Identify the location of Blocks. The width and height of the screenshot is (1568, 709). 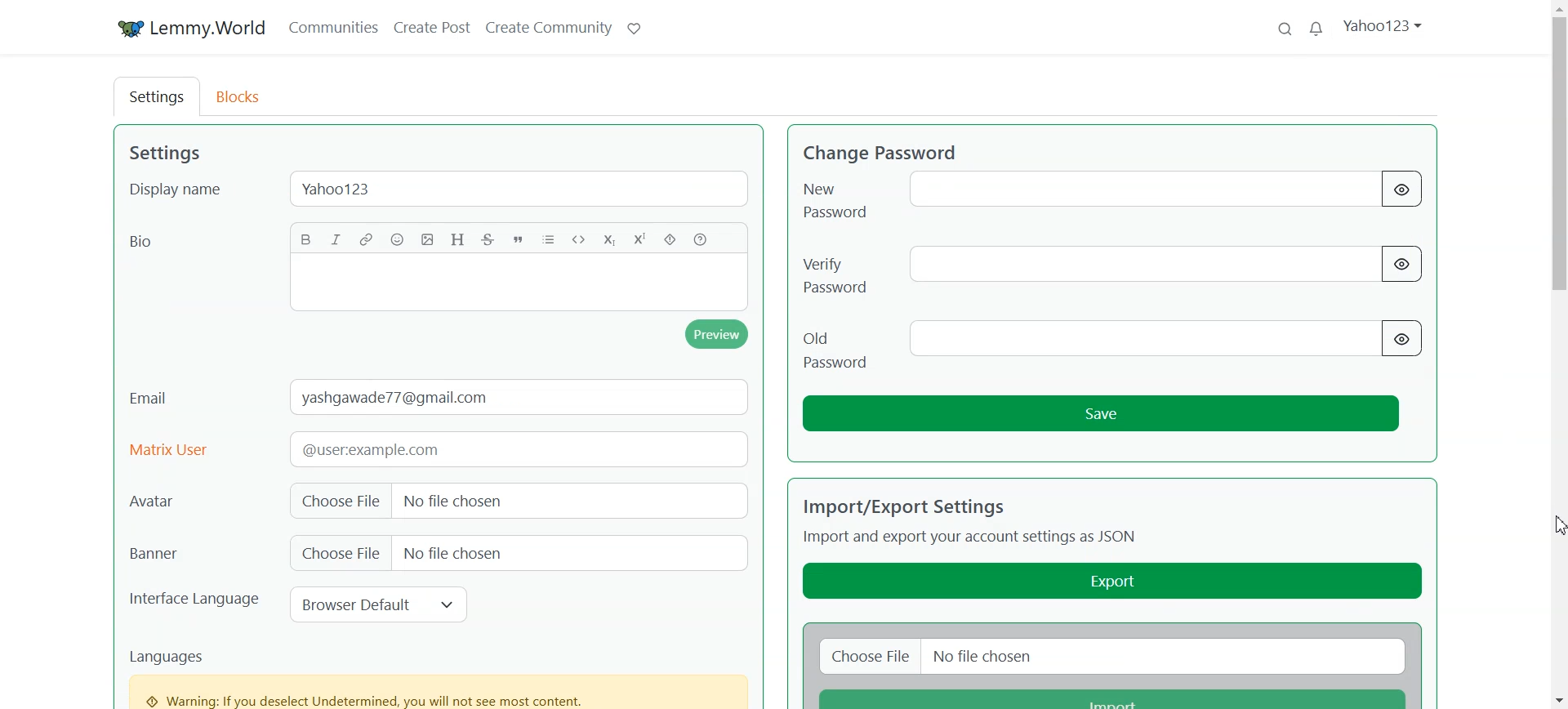
(244, 96).